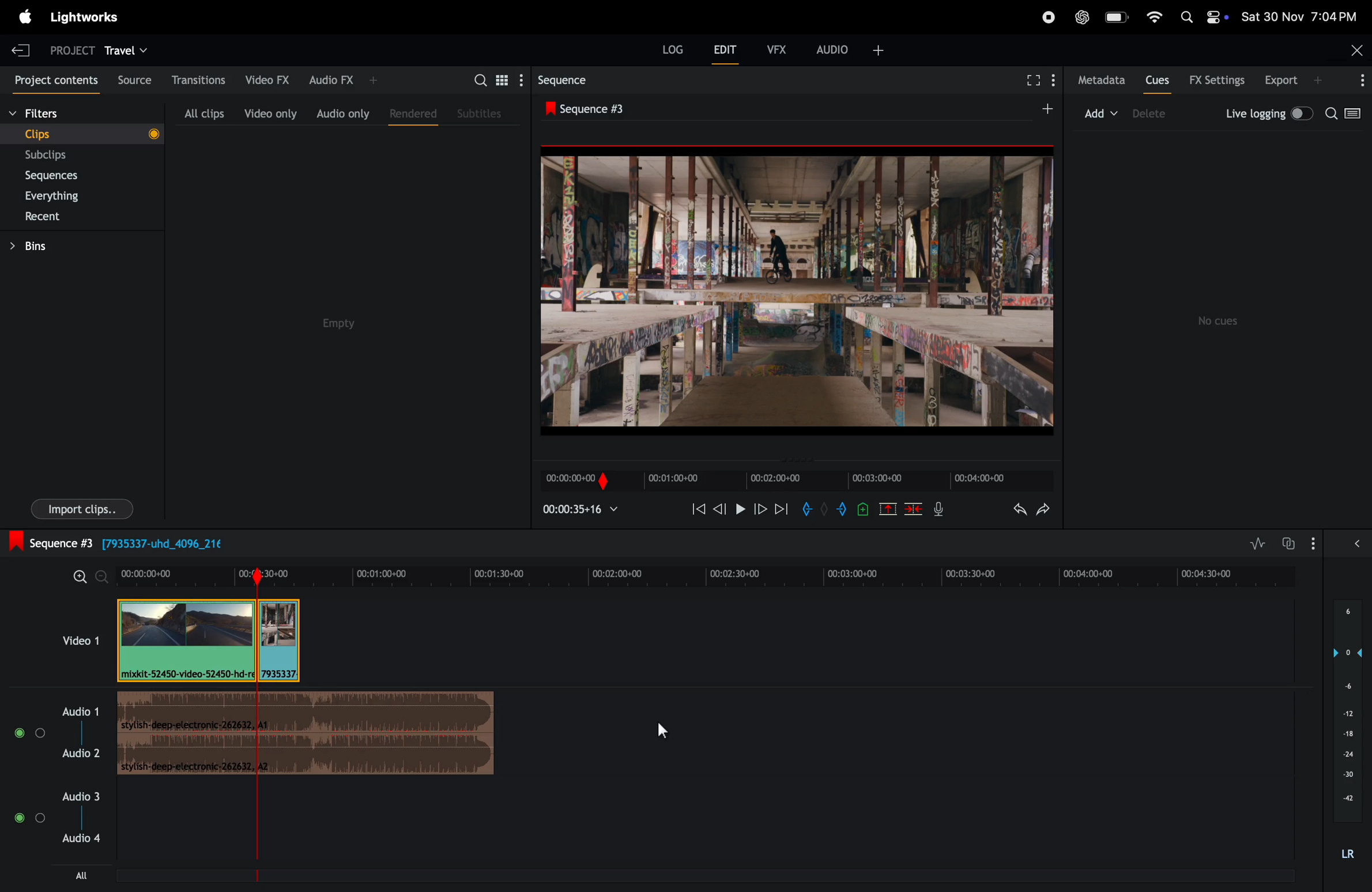  I want to click on toggle audio editing levels, so click(1254, 544).